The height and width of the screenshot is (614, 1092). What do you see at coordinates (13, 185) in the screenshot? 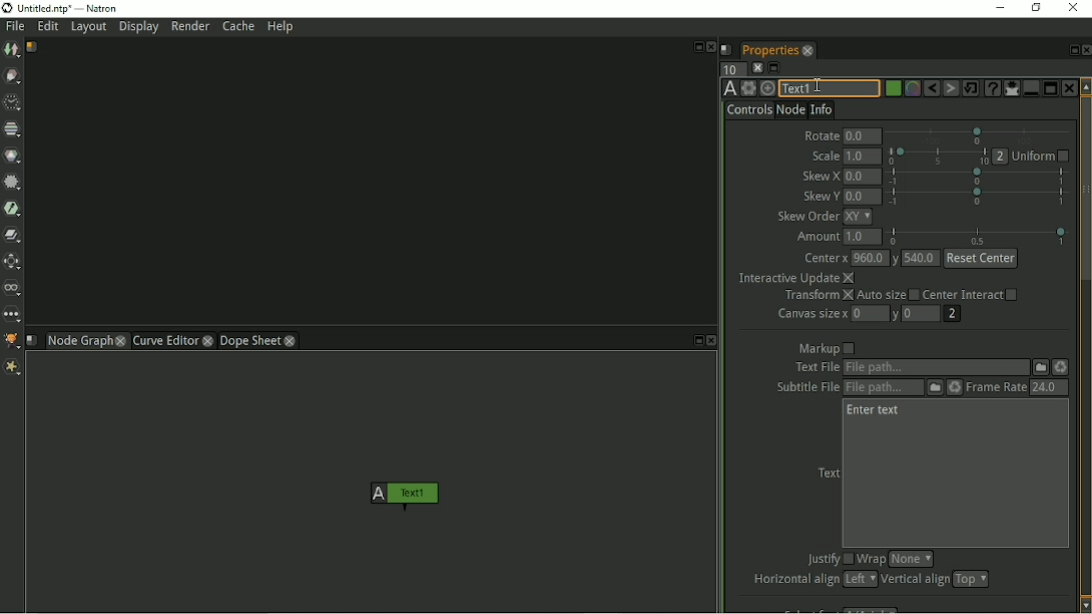
I see `Filter` at bounding box center [13, 185].